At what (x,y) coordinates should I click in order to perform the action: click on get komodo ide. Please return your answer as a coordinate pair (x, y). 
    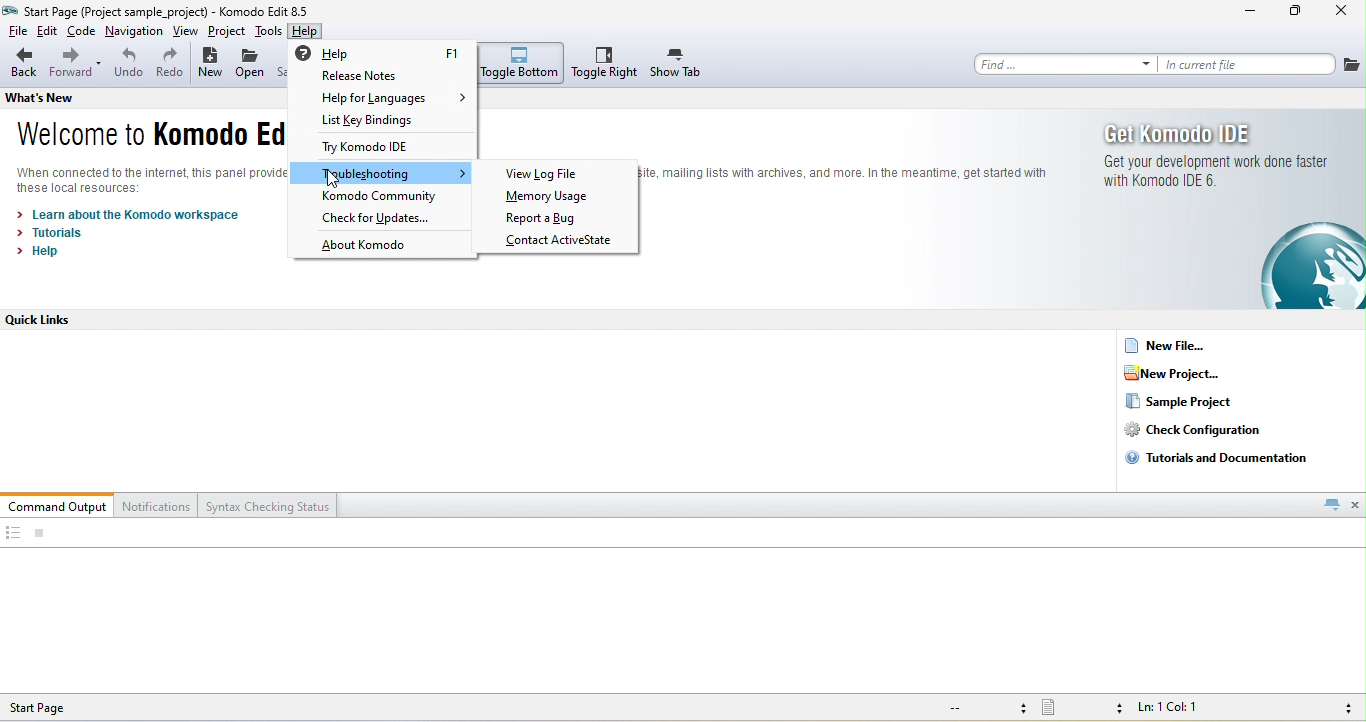
    Looking at the image, I should click on (1184, 133).